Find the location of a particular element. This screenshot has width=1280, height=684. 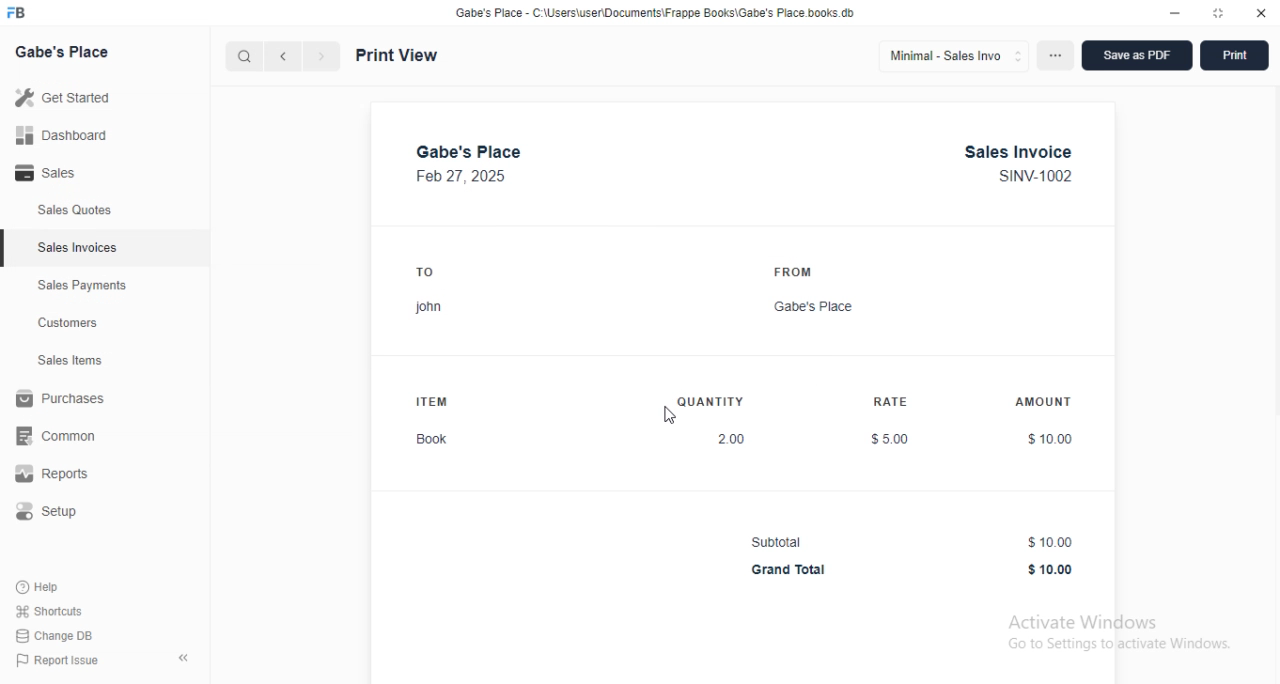

dashboard is located at coordinates (62, 135).